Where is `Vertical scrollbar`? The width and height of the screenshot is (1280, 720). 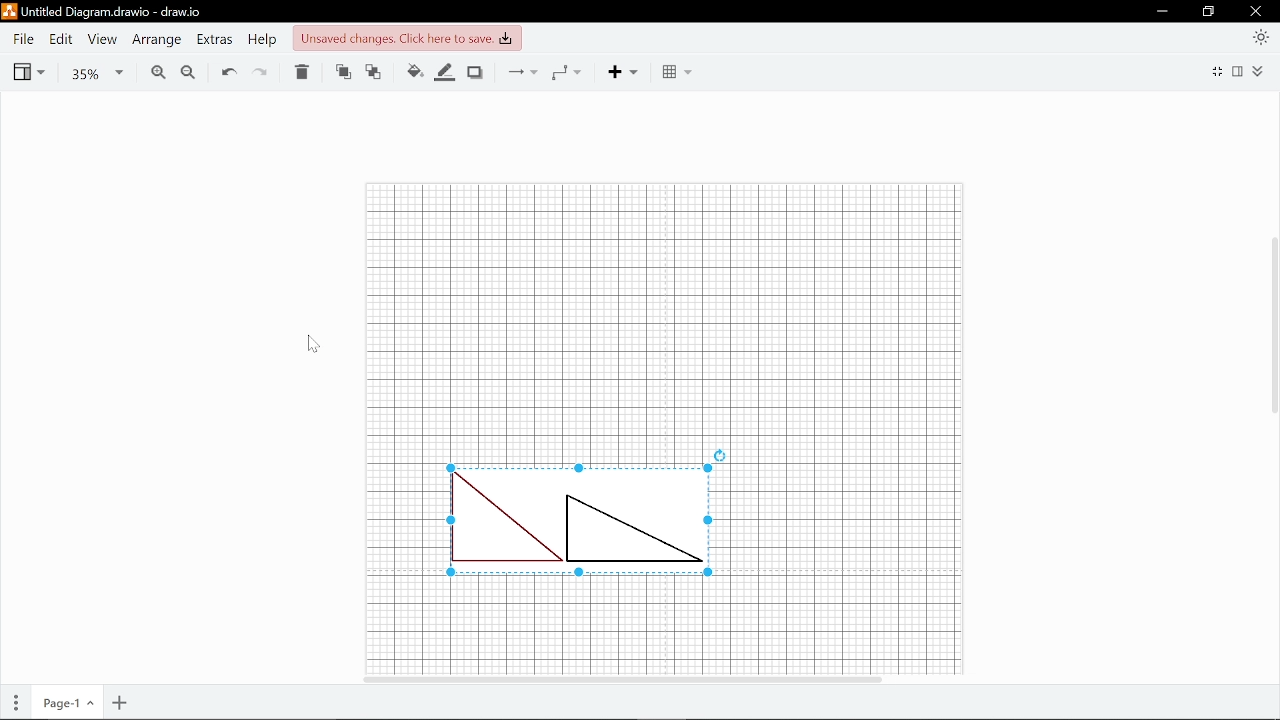
Vertical scrollbar is located at coordinates (1272, 385).